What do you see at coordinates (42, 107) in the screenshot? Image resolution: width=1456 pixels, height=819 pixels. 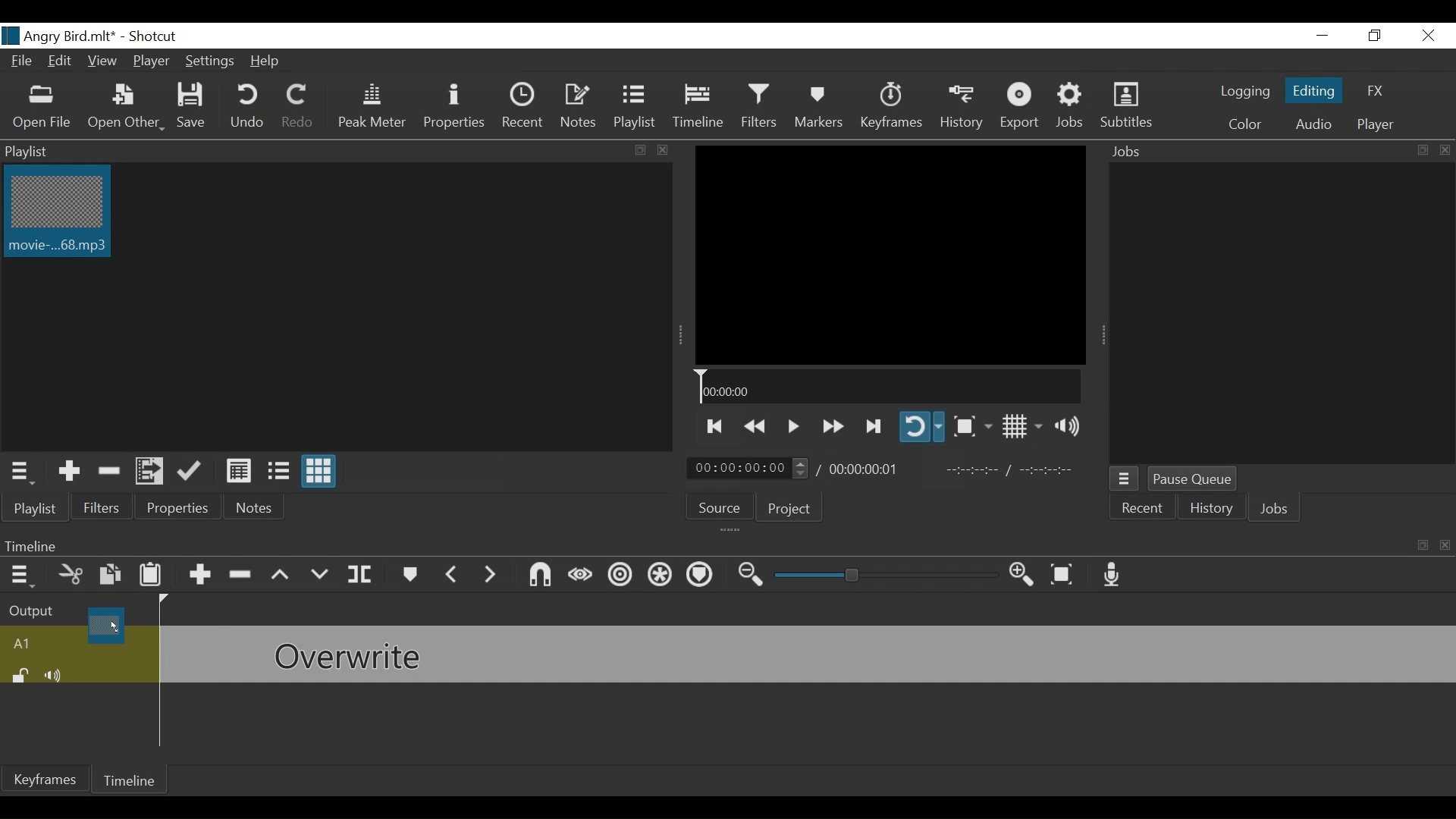 I see `Open File` at bounding box center [42, 107].